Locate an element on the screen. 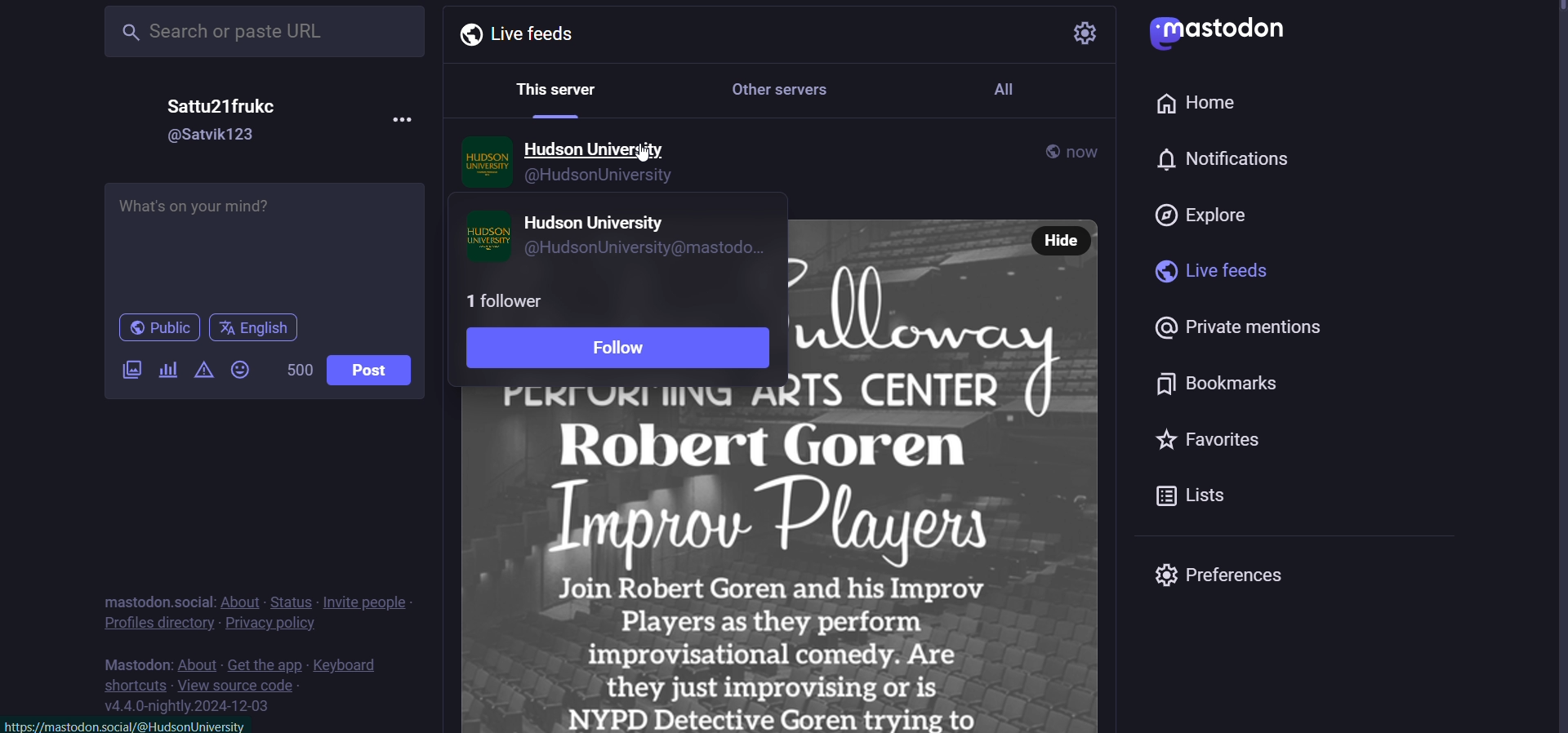 The height and width of the screenshot is (733, 1568). this server is located at coordinates (558, 93).